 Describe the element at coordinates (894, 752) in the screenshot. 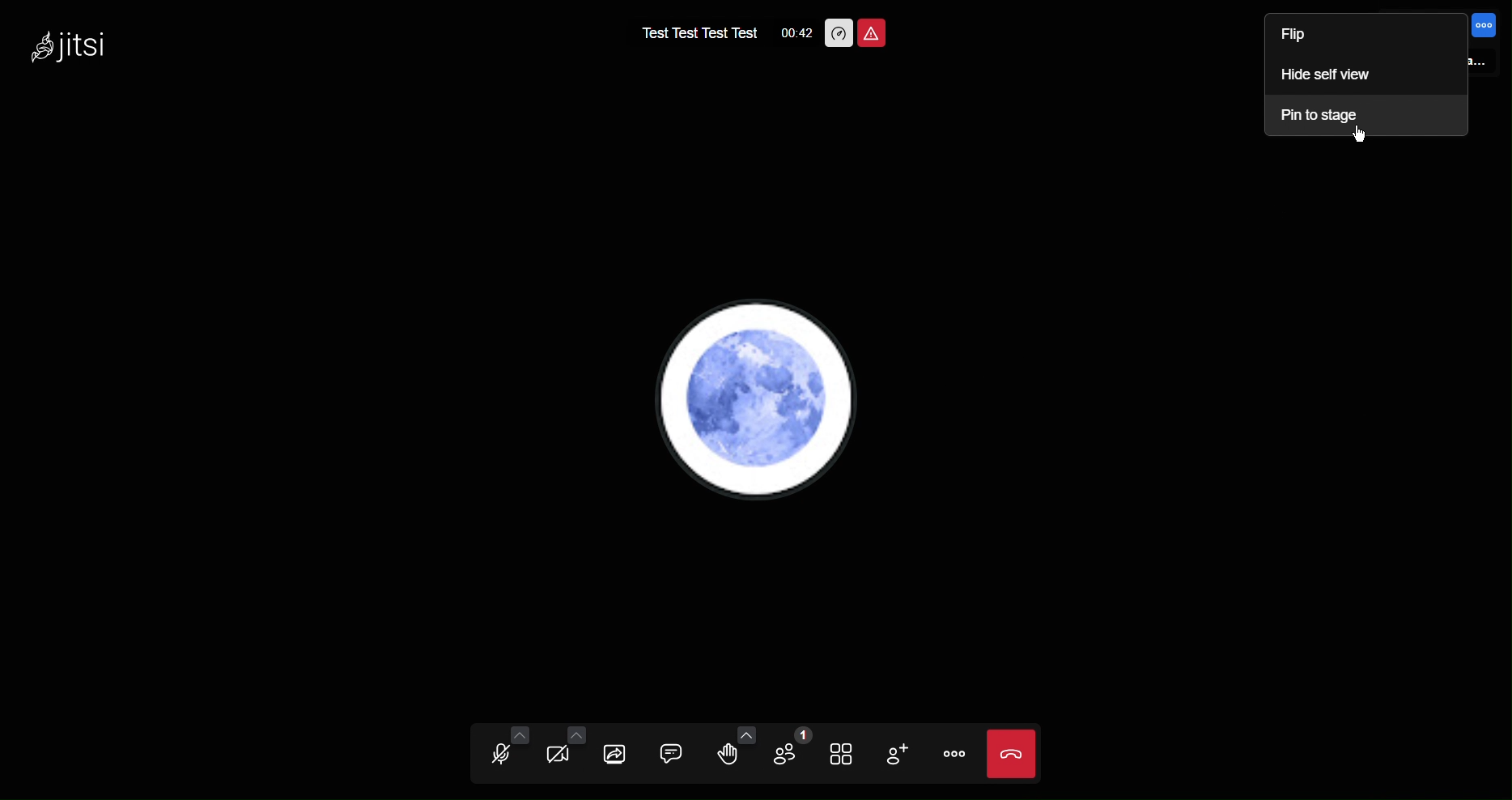

I see `Add Participant` at that location.